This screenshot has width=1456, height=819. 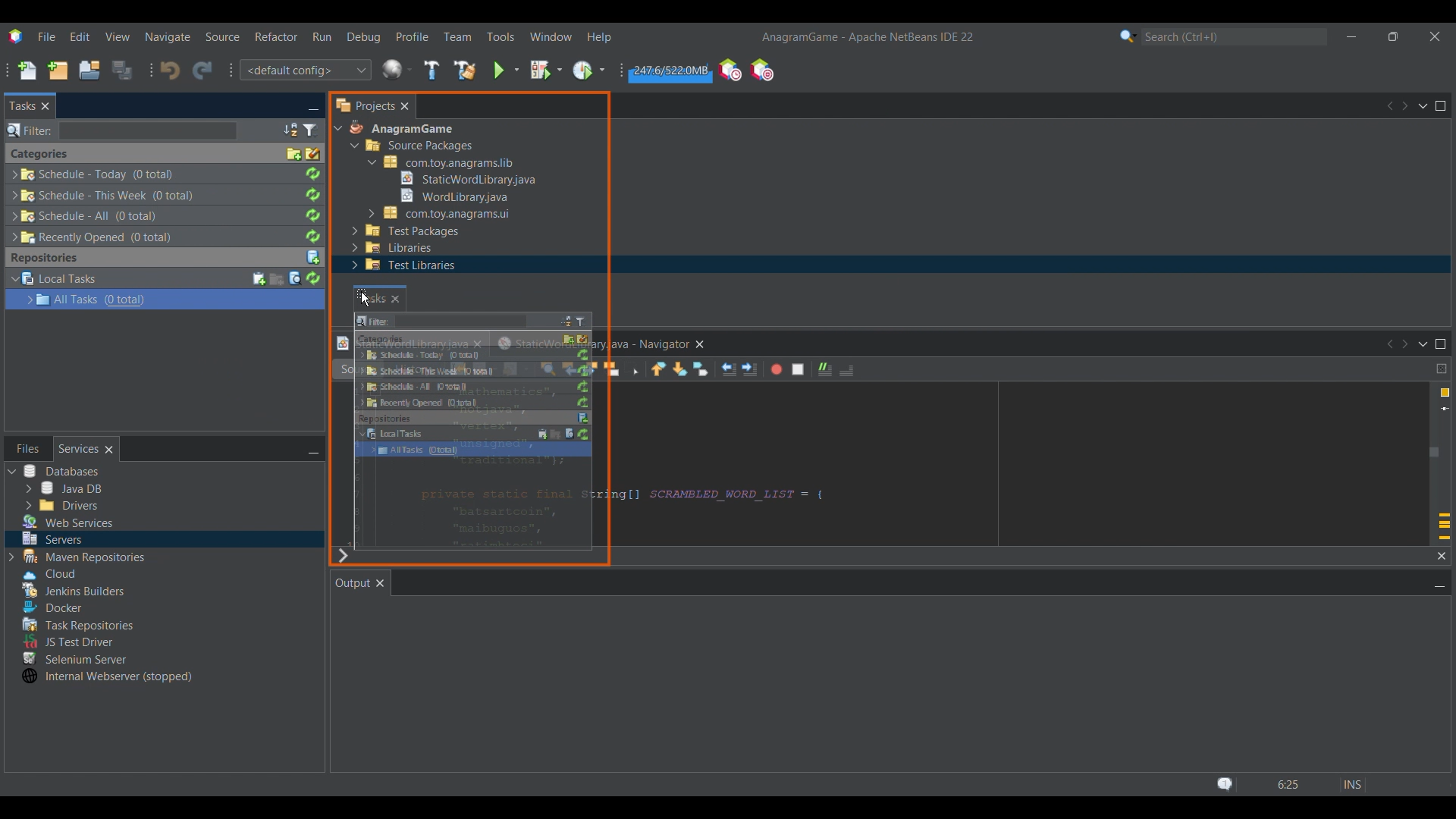 What do you see at coordinates (472, 383) in the screenshot?
I see `` at bounding box center [472, 383].